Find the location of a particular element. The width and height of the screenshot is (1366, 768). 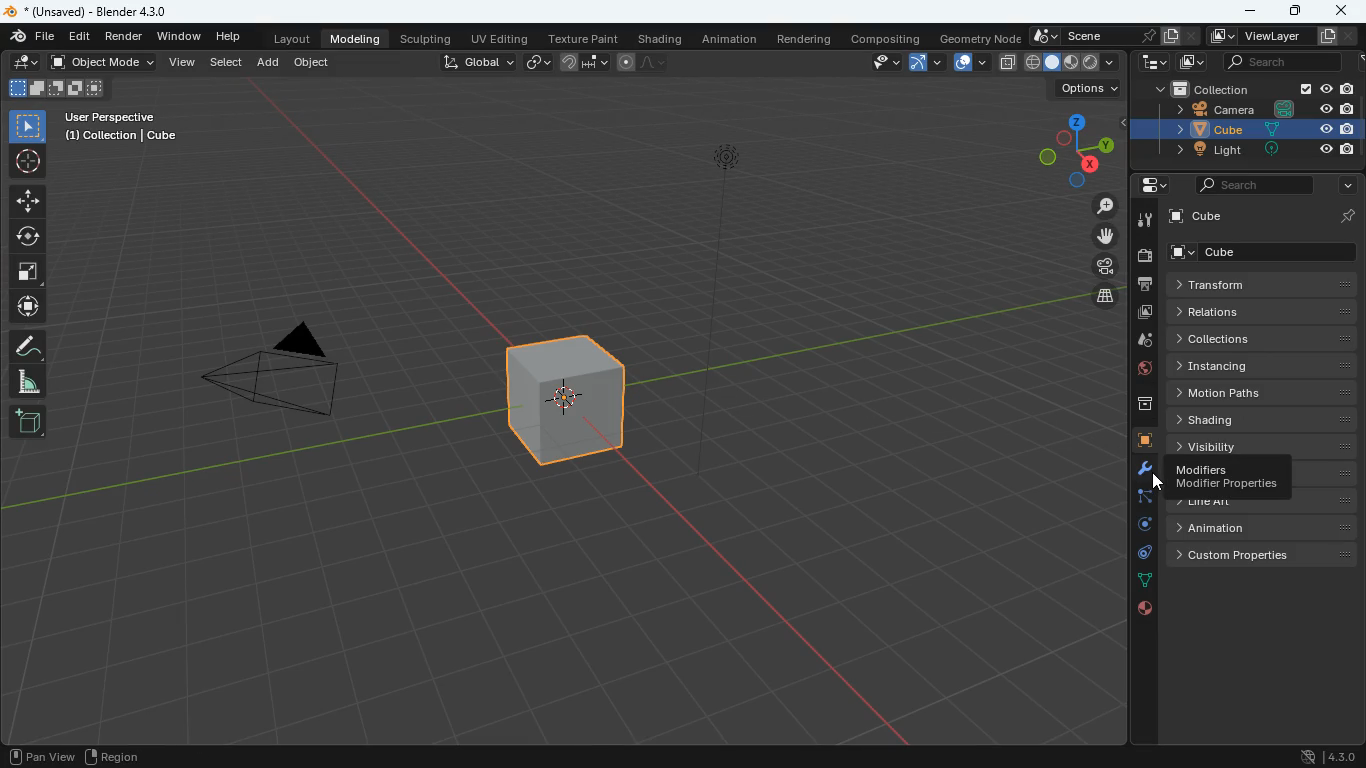

join is located at coordinates (585, 61).